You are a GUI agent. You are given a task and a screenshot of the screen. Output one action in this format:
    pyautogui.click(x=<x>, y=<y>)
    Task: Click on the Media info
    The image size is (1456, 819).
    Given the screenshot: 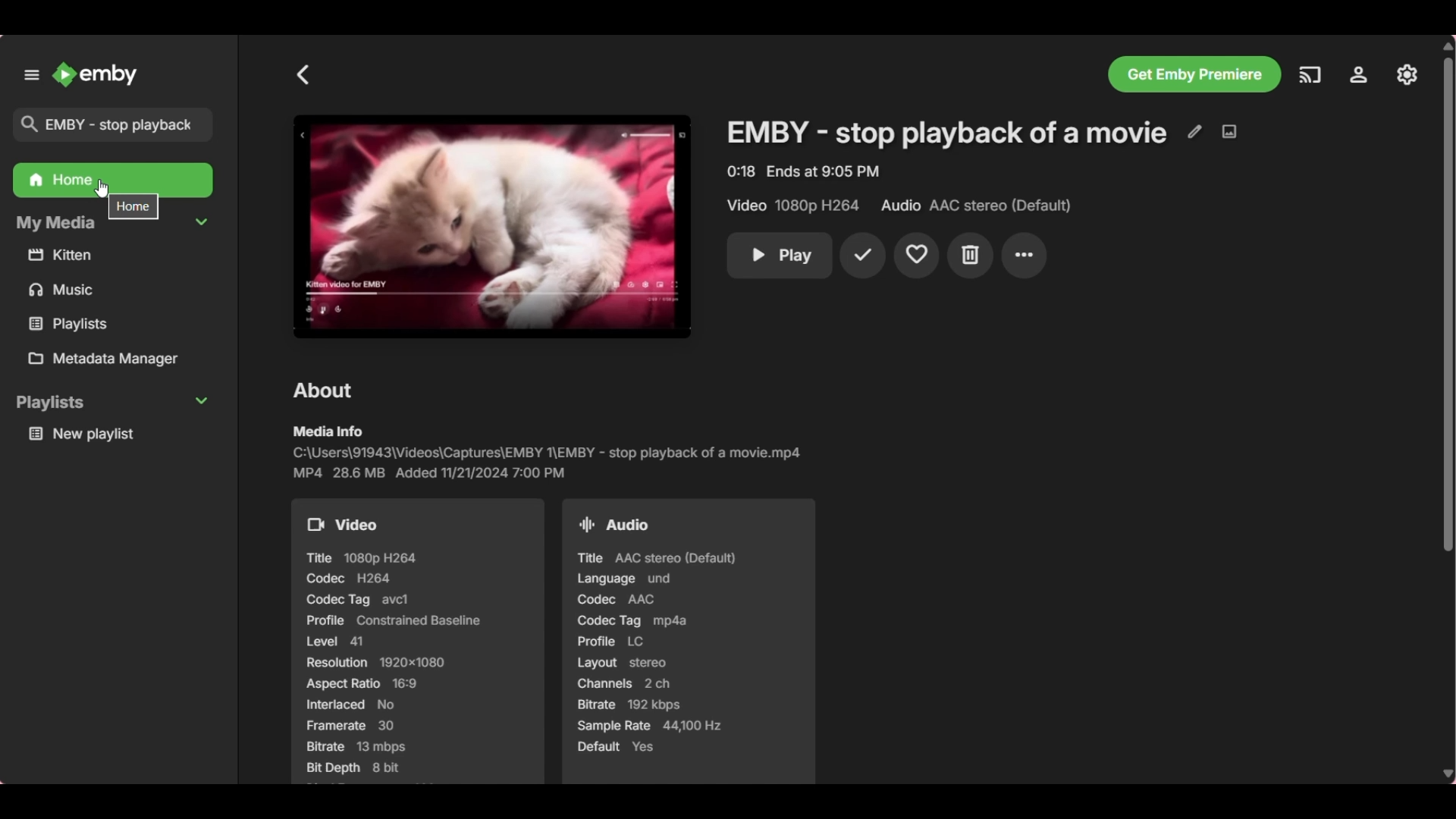 What is the action you would take?
    pyautogui.click(x=327, y=431)
    